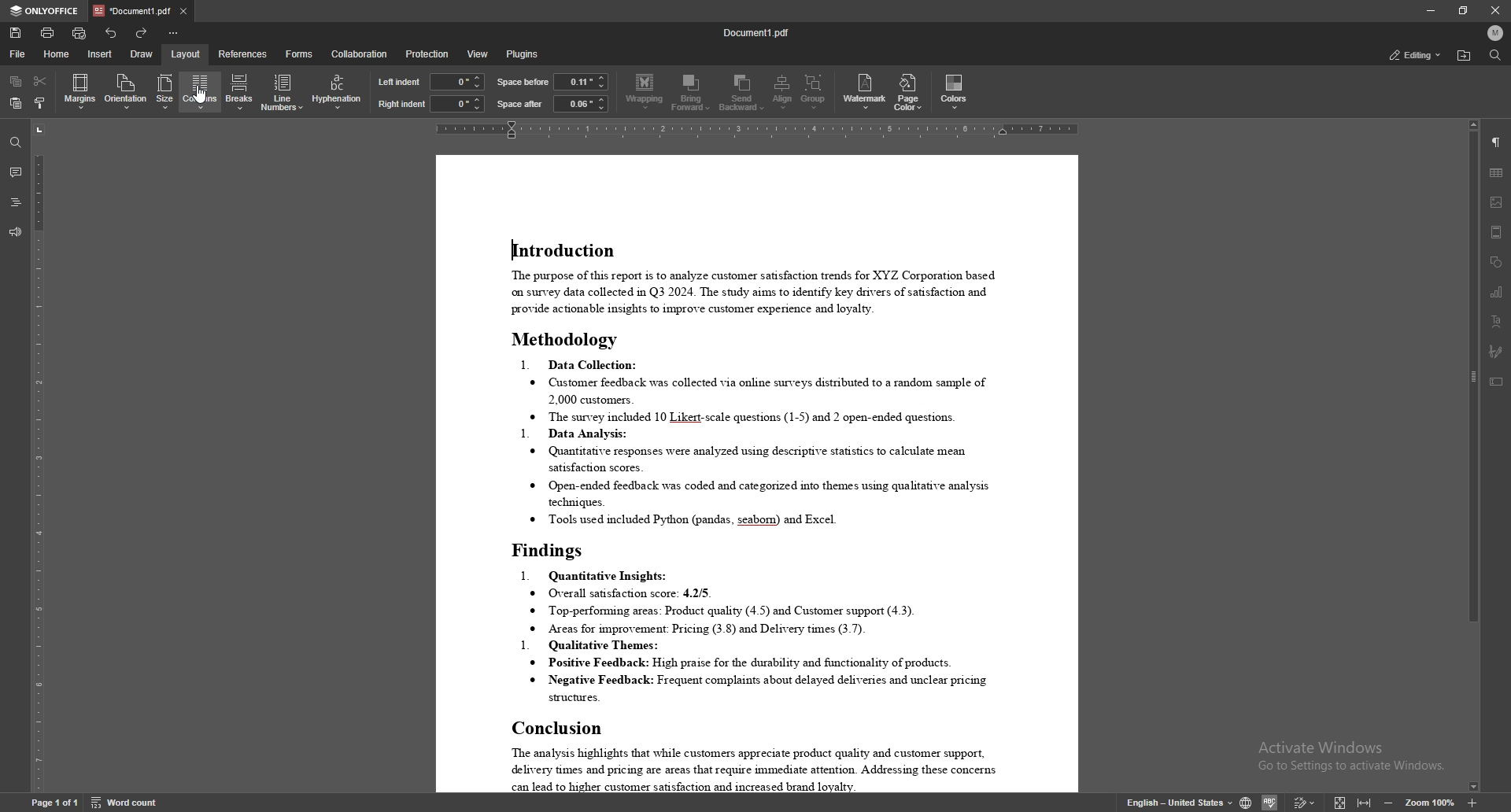 This screenshot has width=1511, height=812. What do you see at coordinates (35, 456) in the screenshot?
I see `vertical scale` at bounding box center [35, 456].